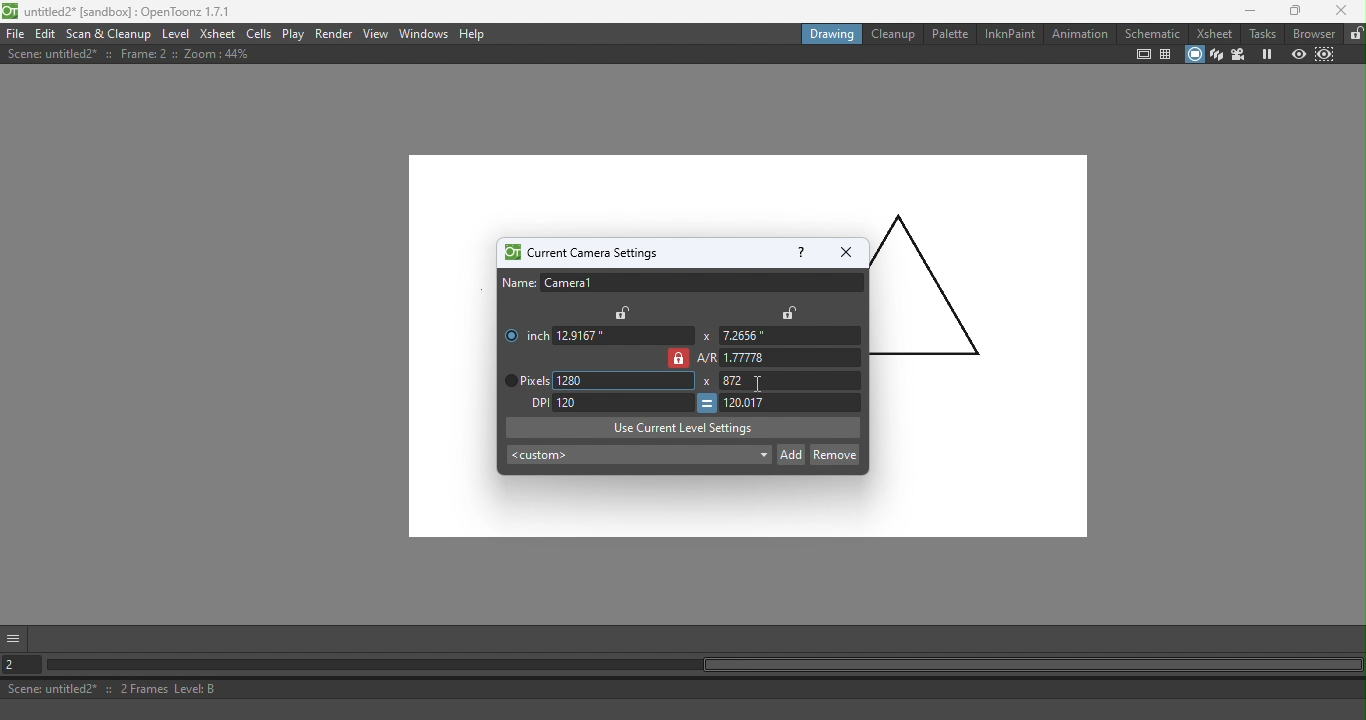 The width and height of the screenshot is (1366, 720). I want to click on Palette, so click(948, 34).